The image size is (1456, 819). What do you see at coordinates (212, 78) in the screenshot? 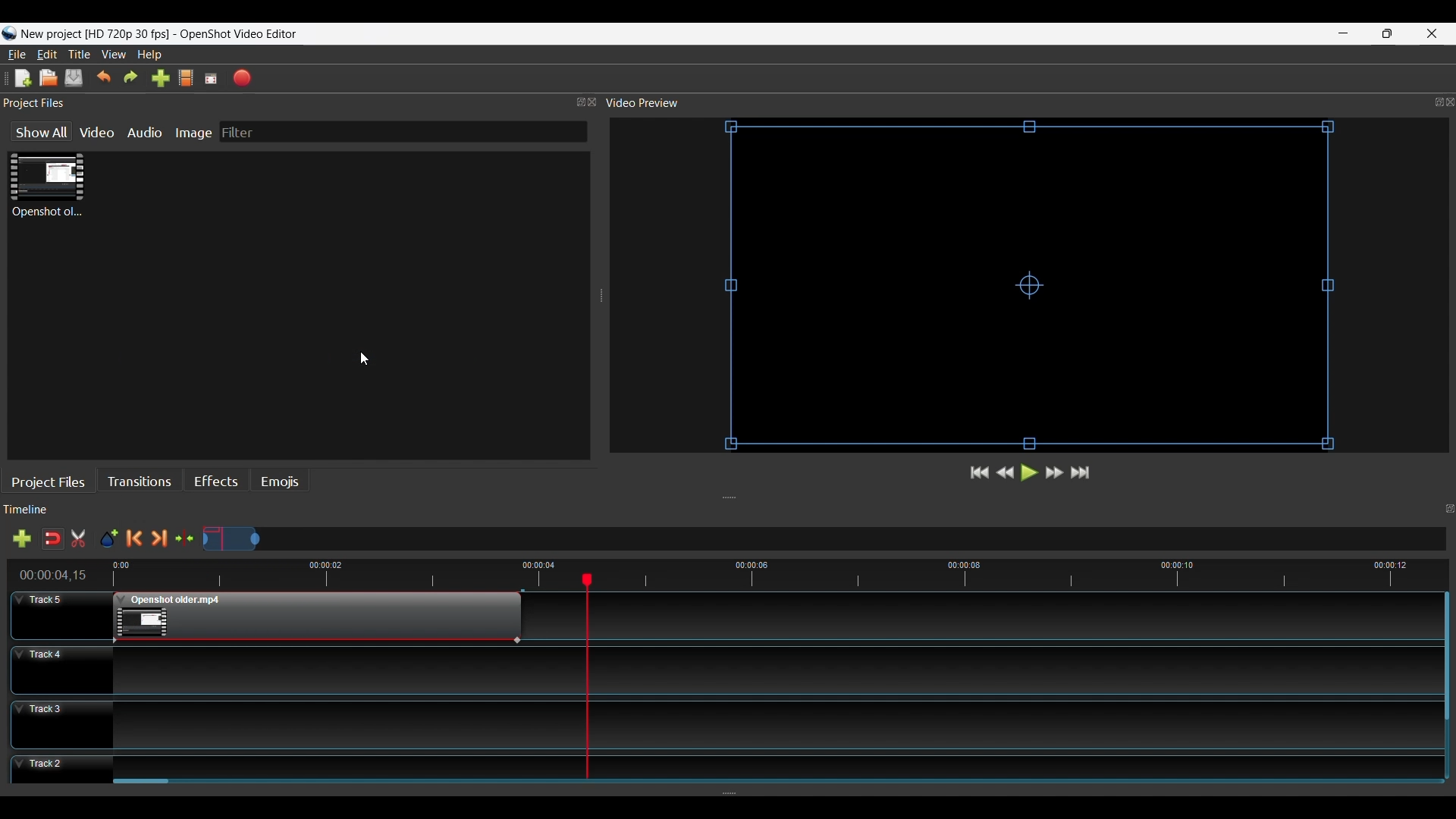
I see `Fullscreen` at bounding box center [212, 78].